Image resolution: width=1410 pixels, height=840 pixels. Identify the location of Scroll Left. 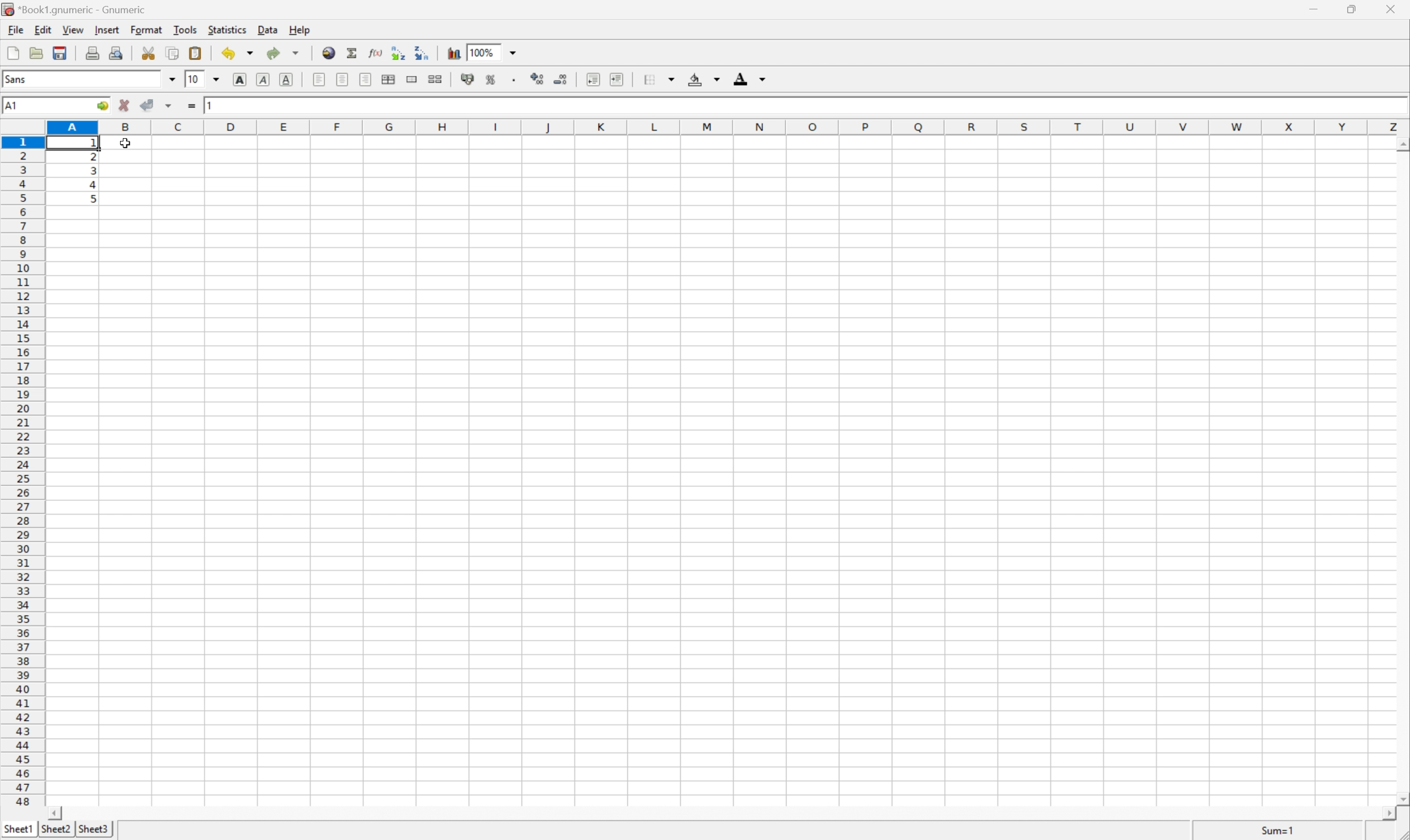
(59, 812).